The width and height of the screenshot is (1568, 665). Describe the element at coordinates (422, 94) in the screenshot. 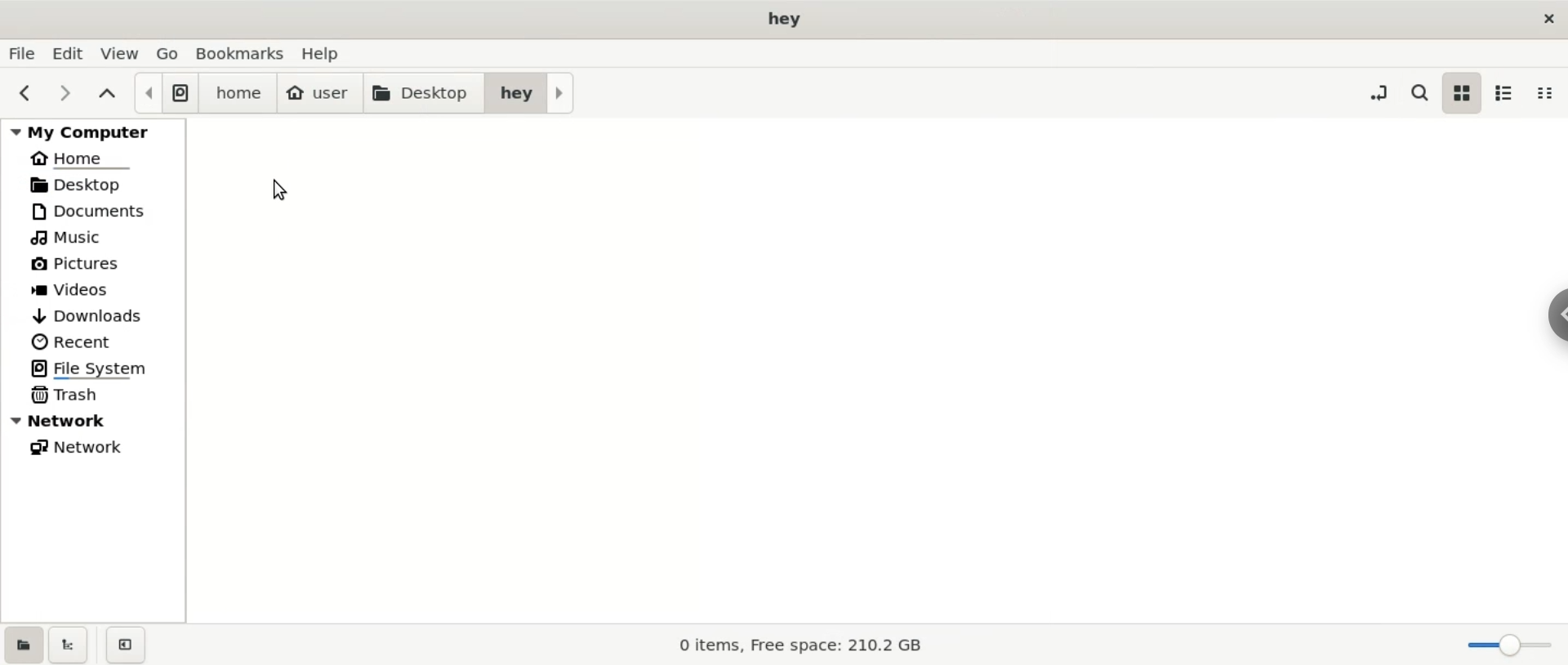

I see `desktop` at that location.